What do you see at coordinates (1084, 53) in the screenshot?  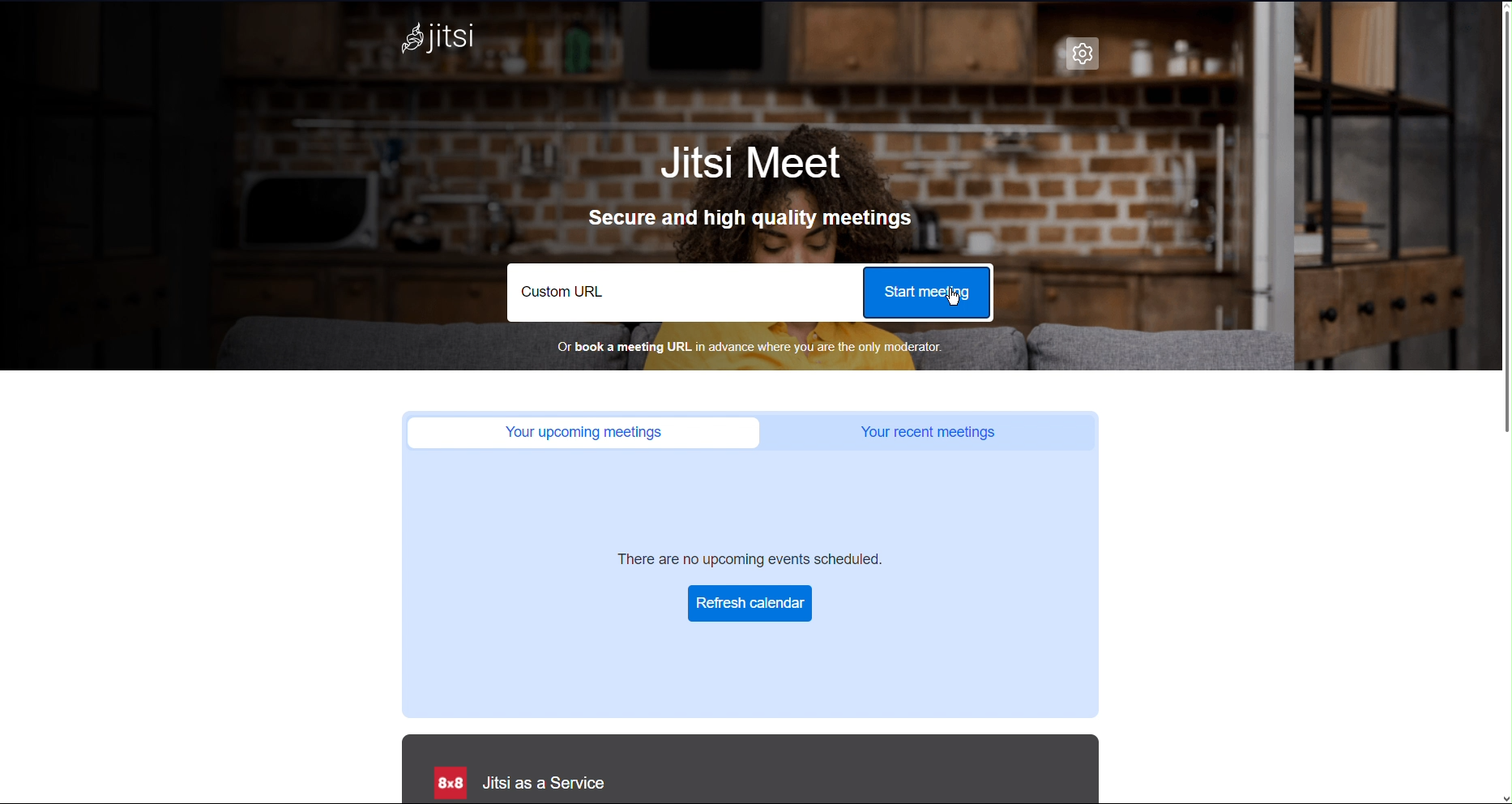 I see `Settings` at bounding box center [1084, 53].